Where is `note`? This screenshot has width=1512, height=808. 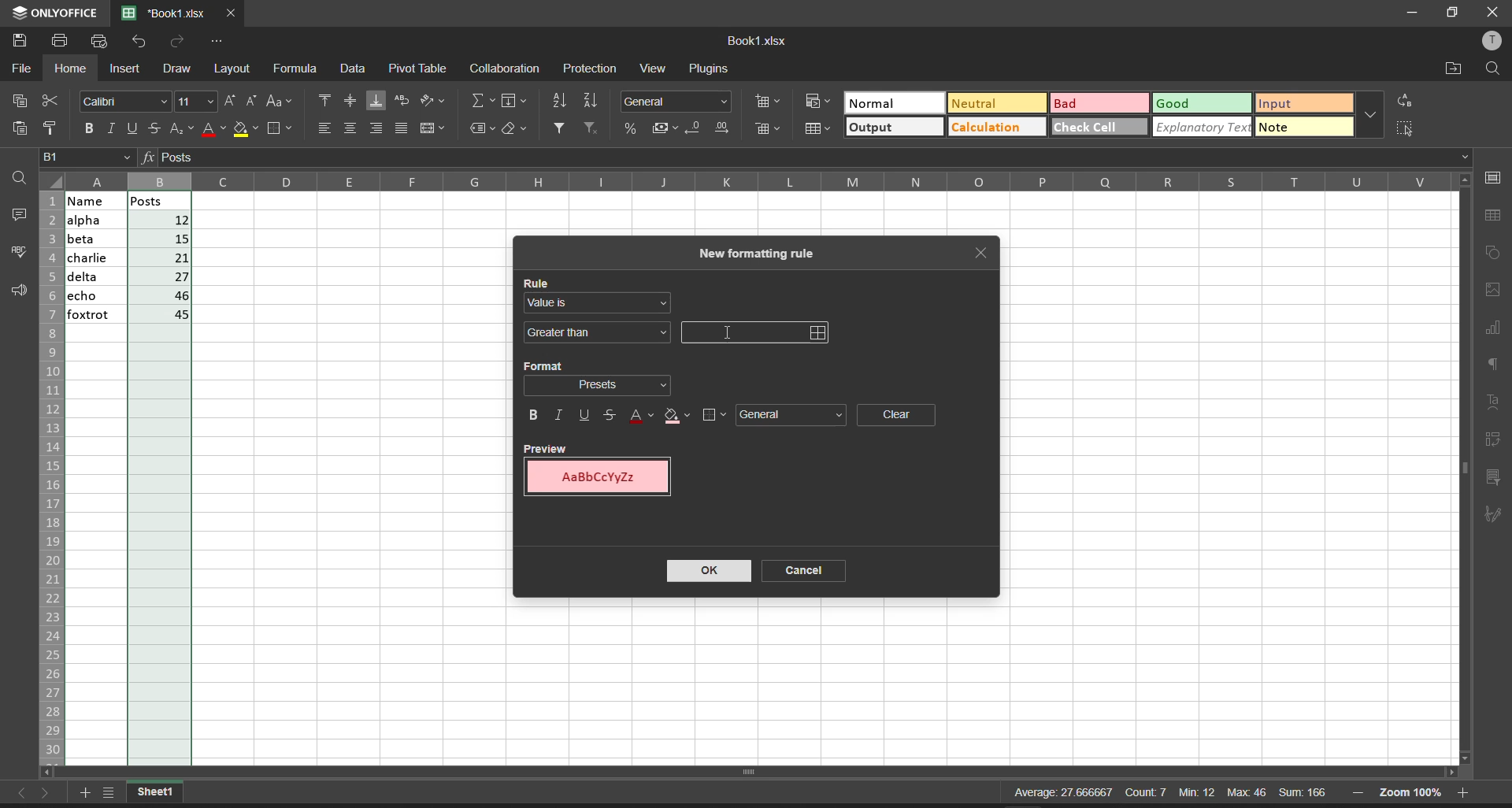
note is located at coordinates (1278, 127).